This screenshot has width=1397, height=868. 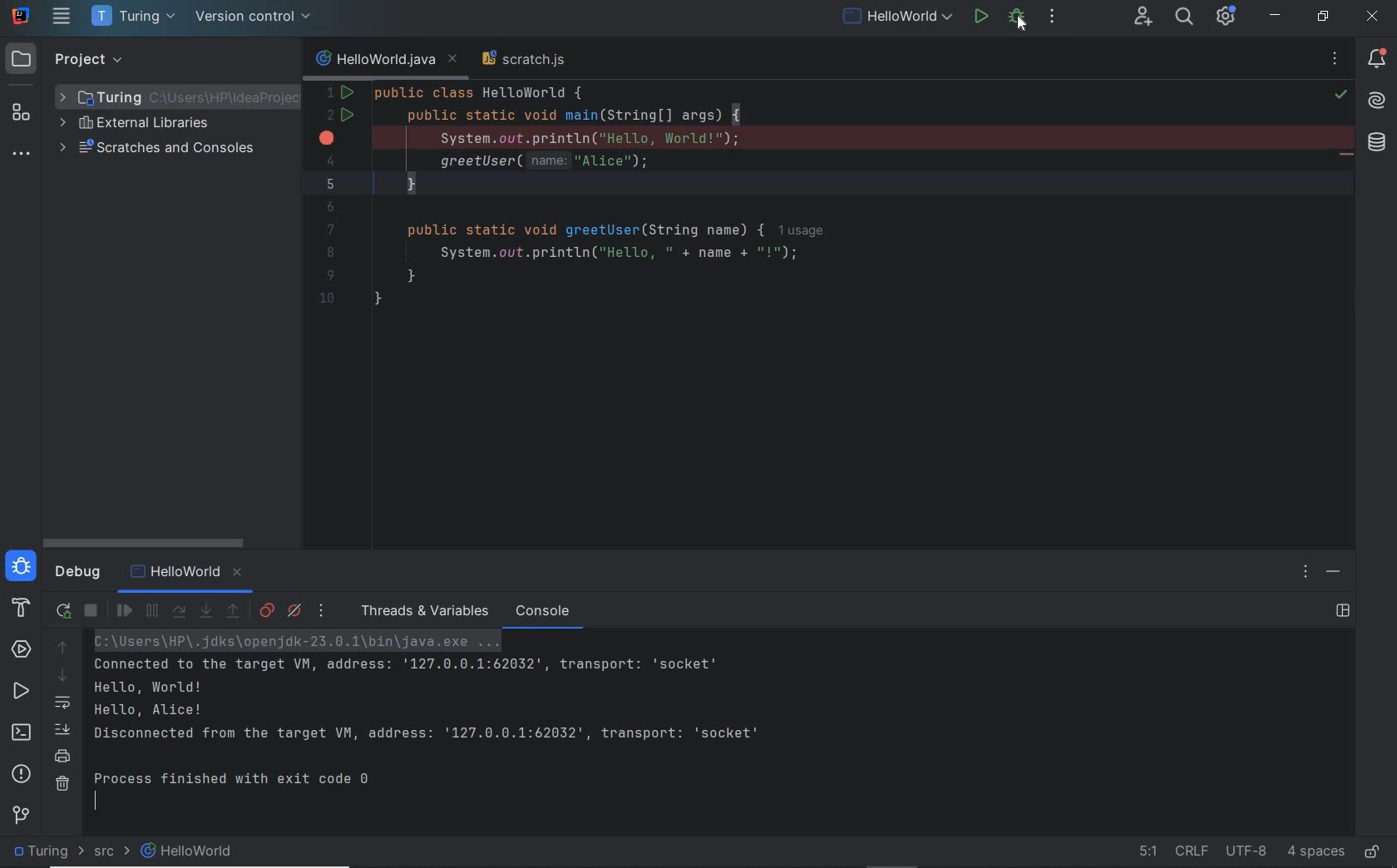 I want to click on terminal, so click(x=24, y=734).